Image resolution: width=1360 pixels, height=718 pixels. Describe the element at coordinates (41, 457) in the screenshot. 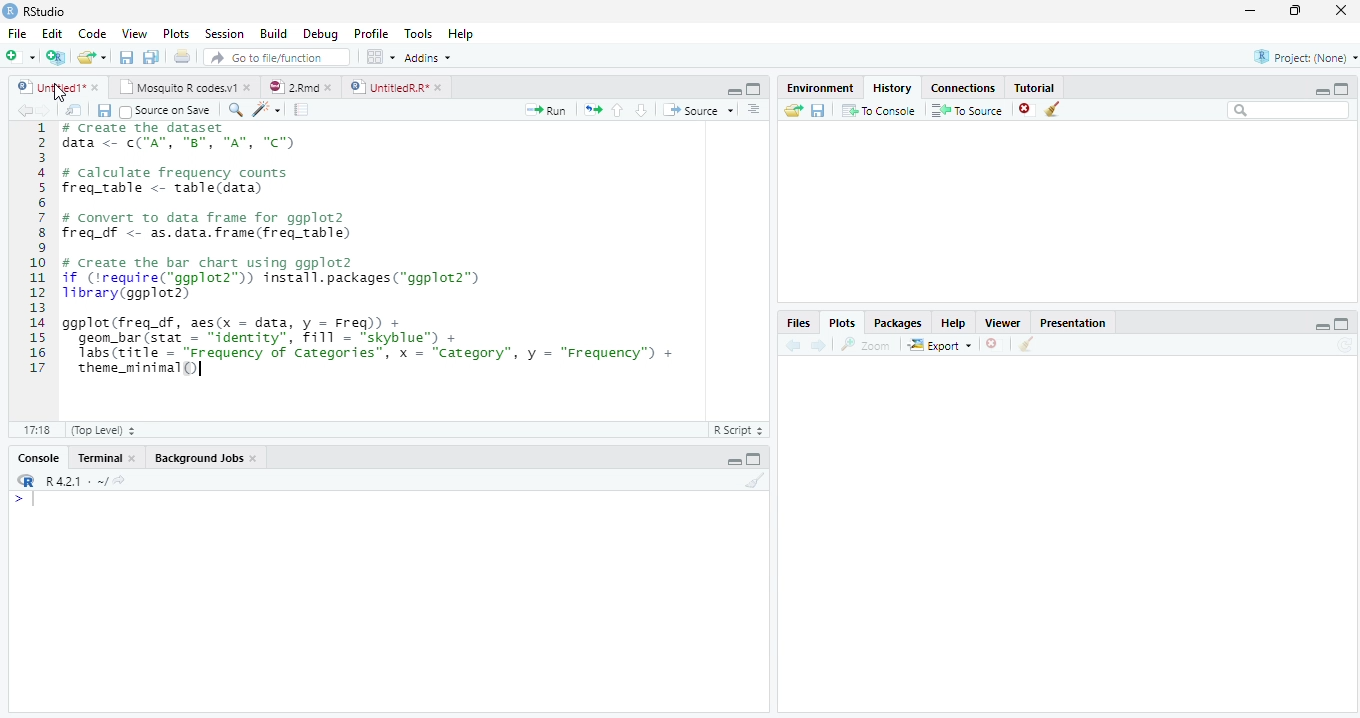

I see `Console` at that location.